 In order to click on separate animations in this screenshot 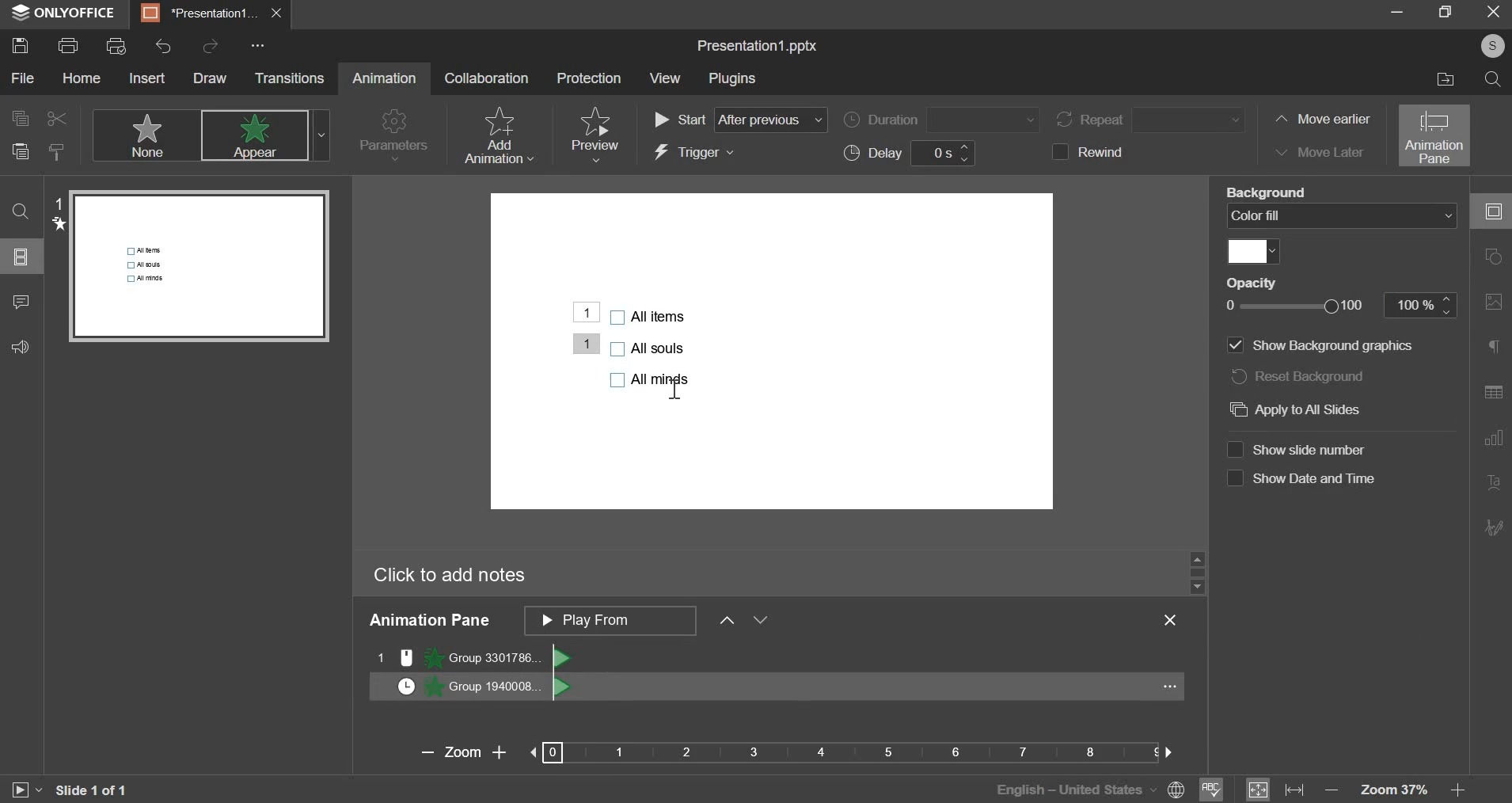, I will do `click(477, 671)`.